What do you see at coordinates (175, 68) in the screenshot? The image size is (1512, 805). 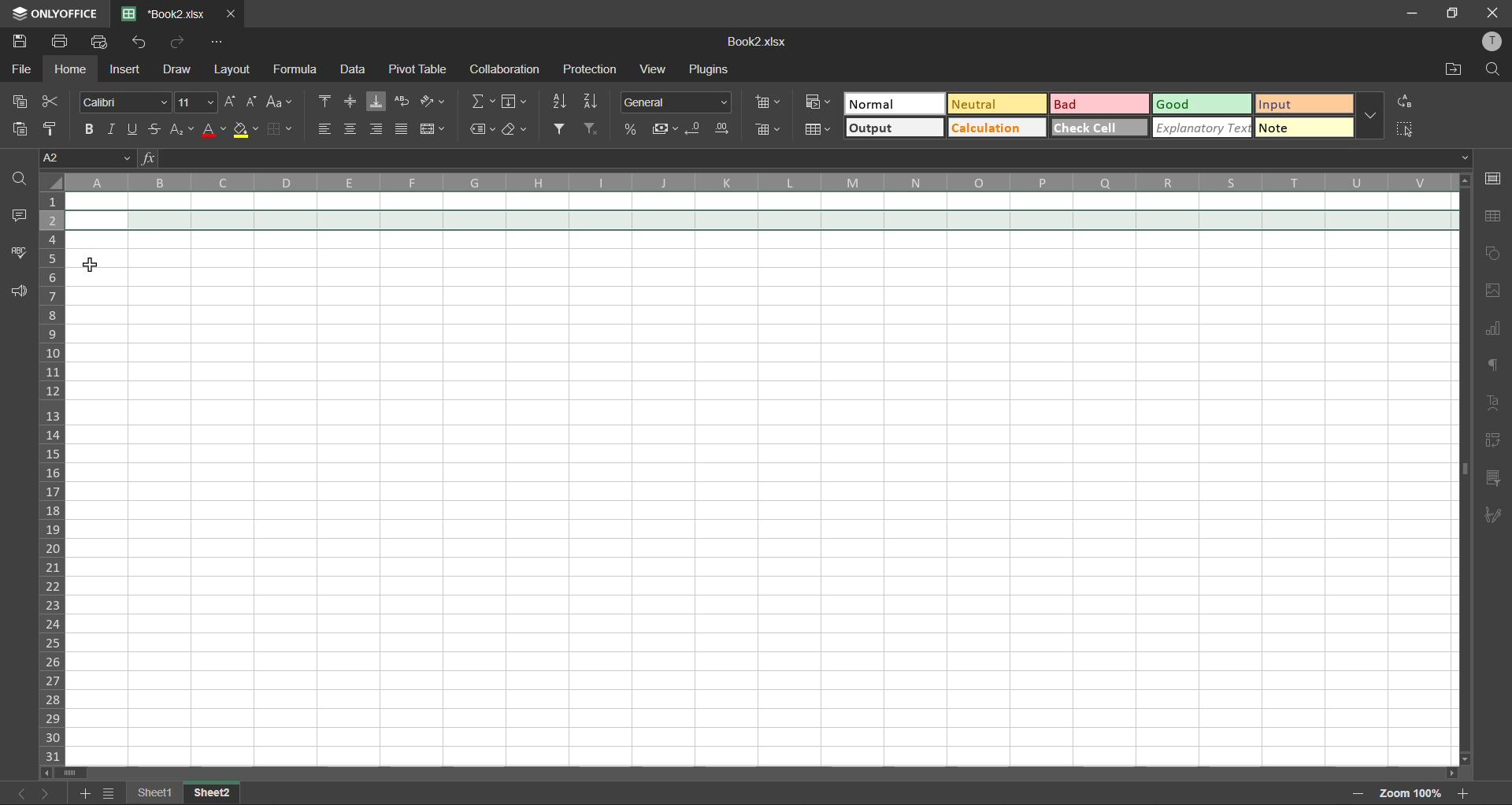 I see `draw` at bounding box center [175, 68].